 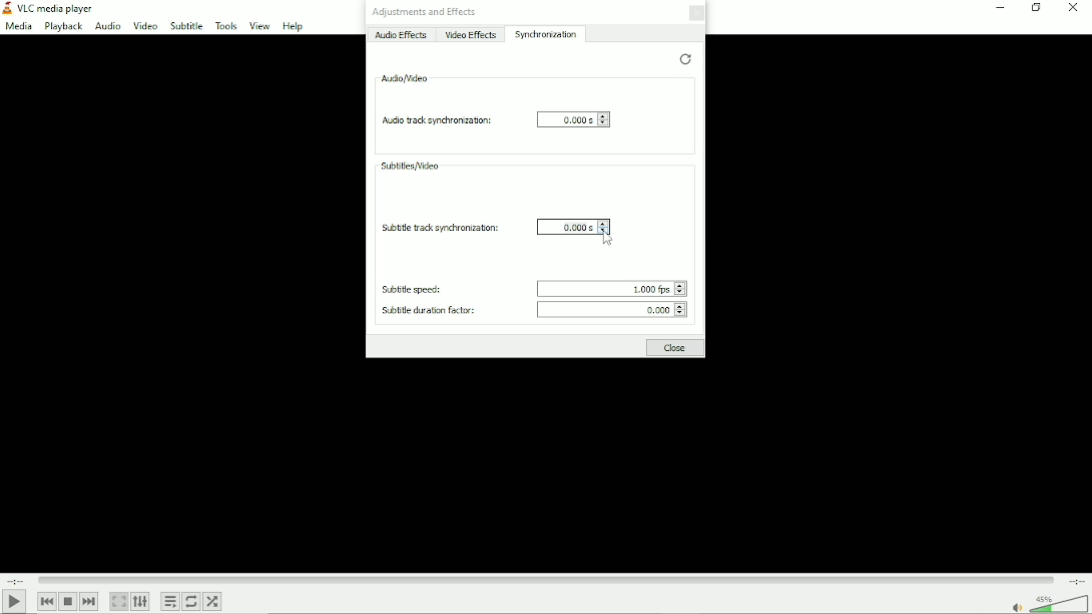 I want to click on Toggle playlist, so click(x=170, y=602).